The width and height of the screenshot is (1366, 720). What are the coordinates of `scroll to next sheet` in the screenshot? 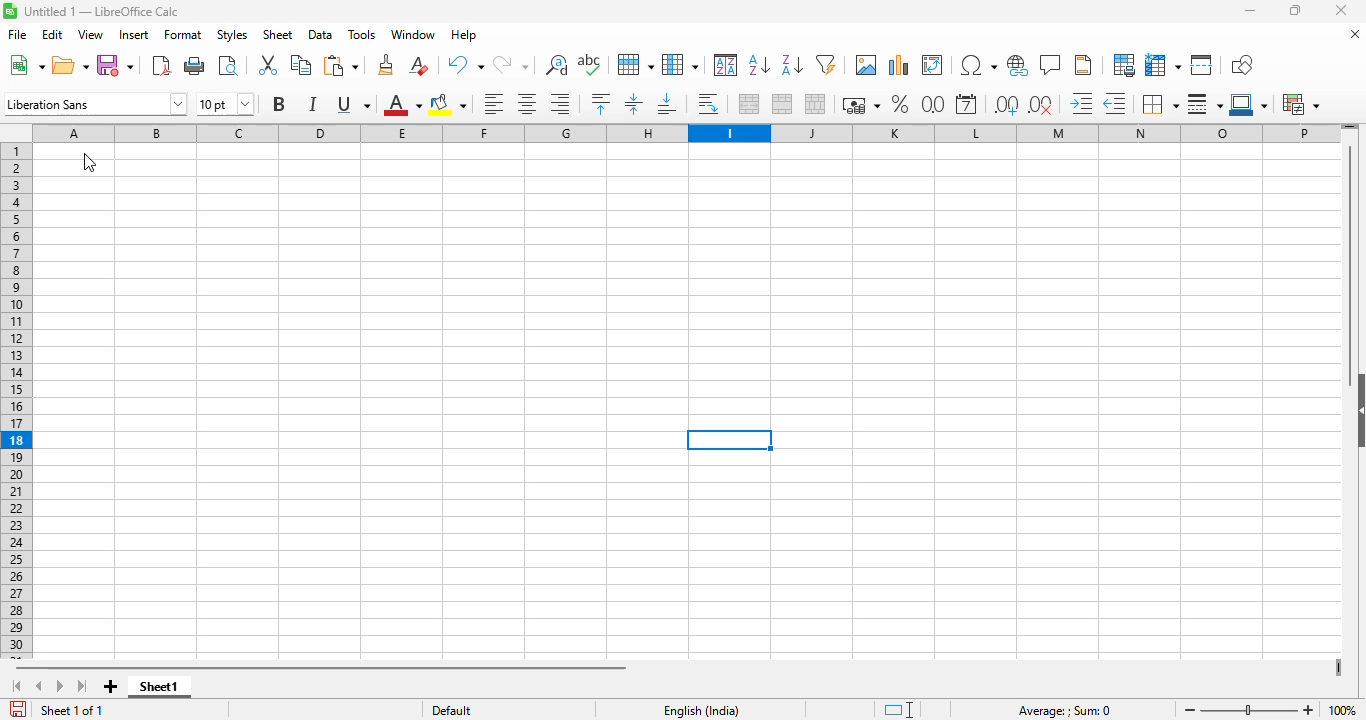 It's located at (60, 685).